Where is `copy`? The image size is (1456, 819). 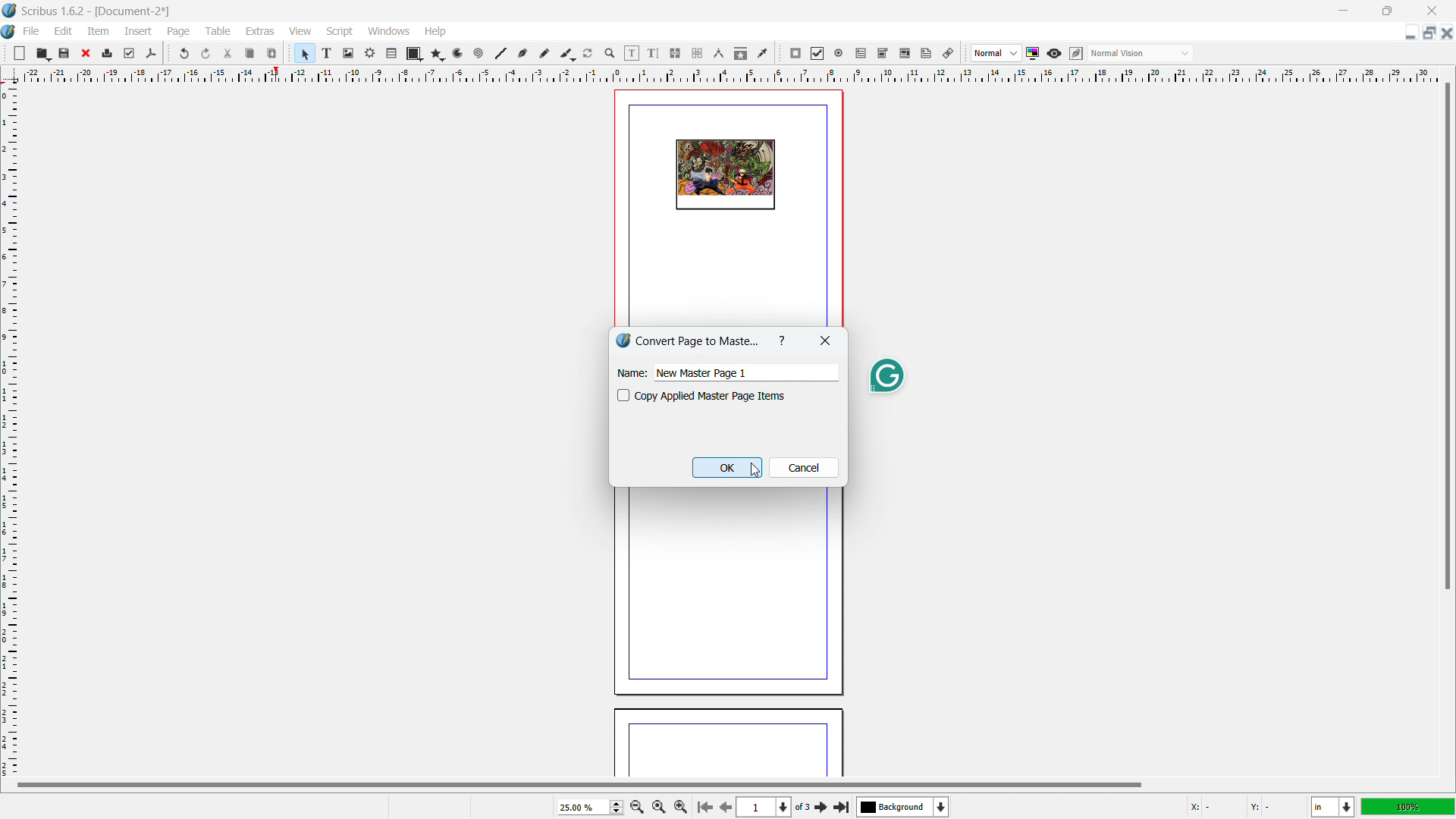 copy is located at coordinates (251, 53).